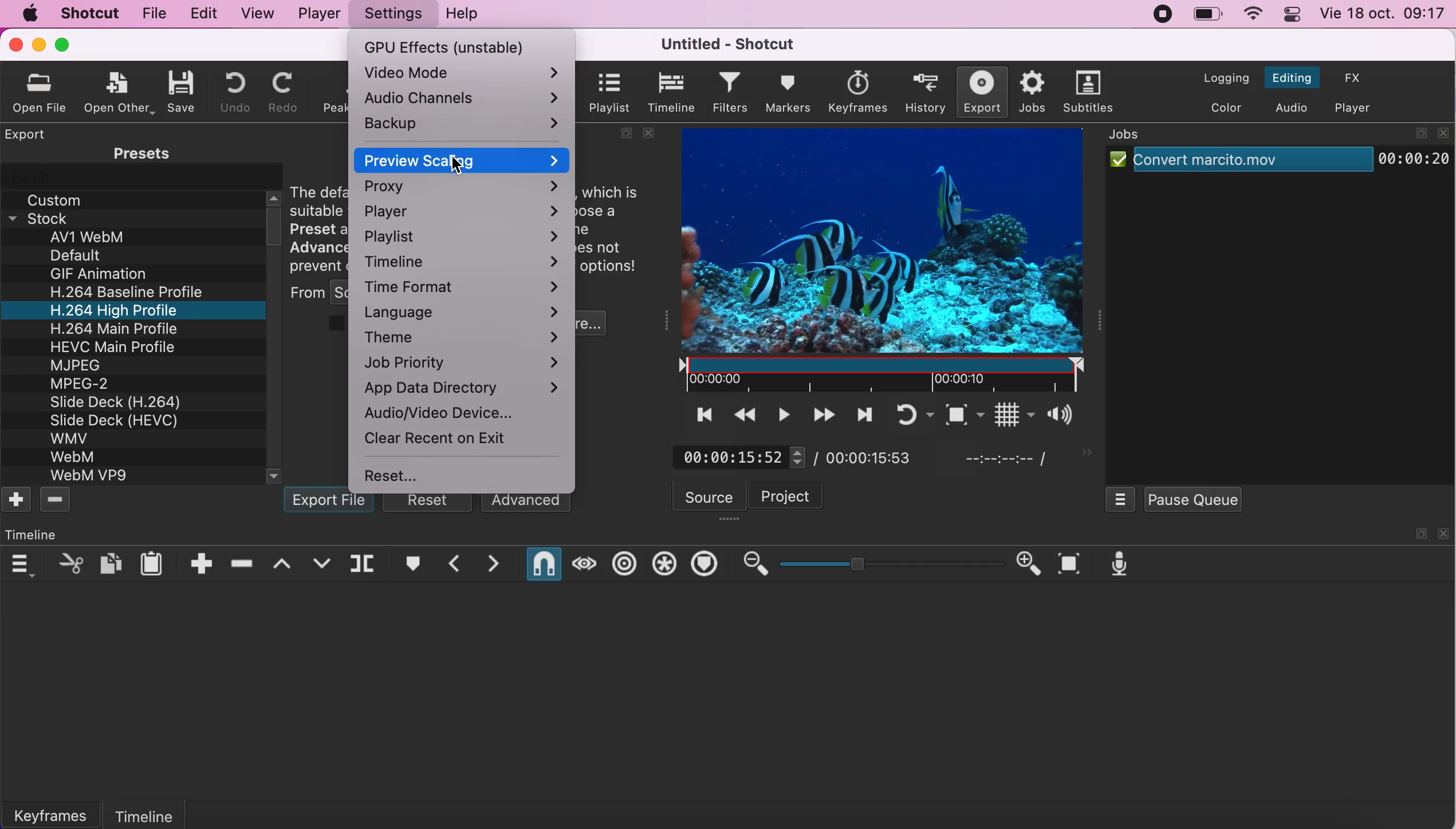  Describe the element at coordinates (1121, 498) in the screenshot. I see `jobs menu` at that location.